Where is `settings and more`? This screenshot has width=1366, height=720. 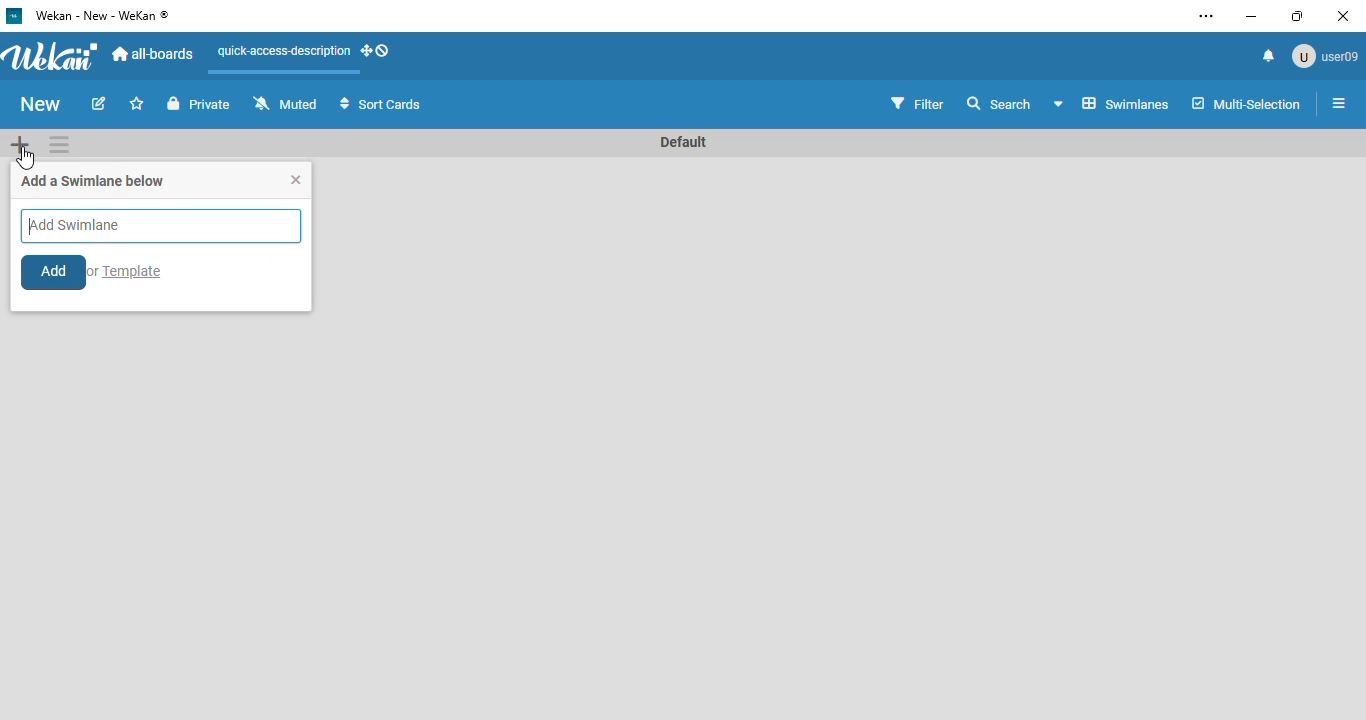
settings and more is located at coordinates (1206, 16).